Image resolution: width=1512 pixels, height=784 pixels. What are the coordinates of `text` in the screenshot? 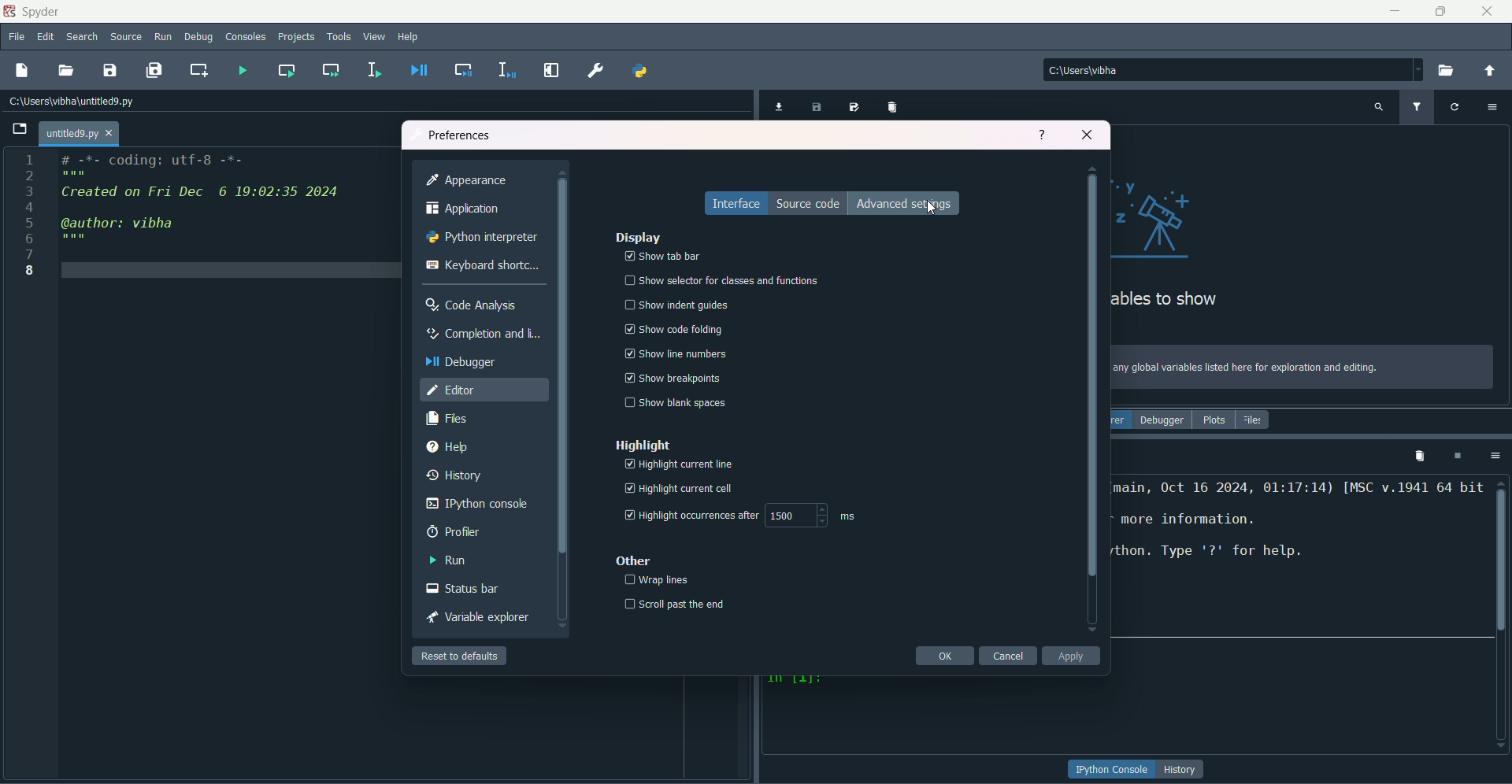 It's located at (1298, 557).